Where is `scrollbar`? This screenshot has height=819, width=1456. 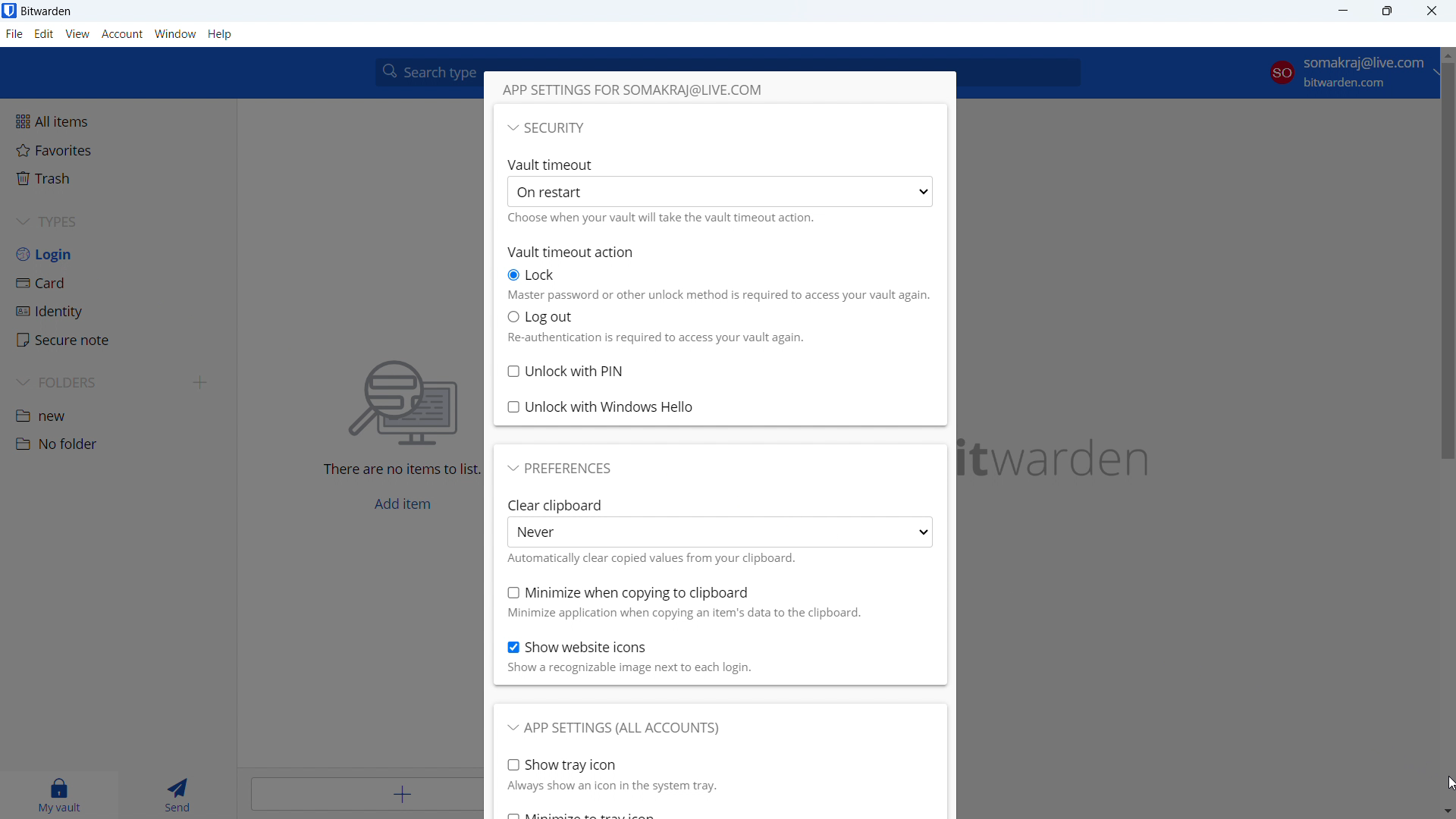 scrollbar is located at coordinates (1445, 260).